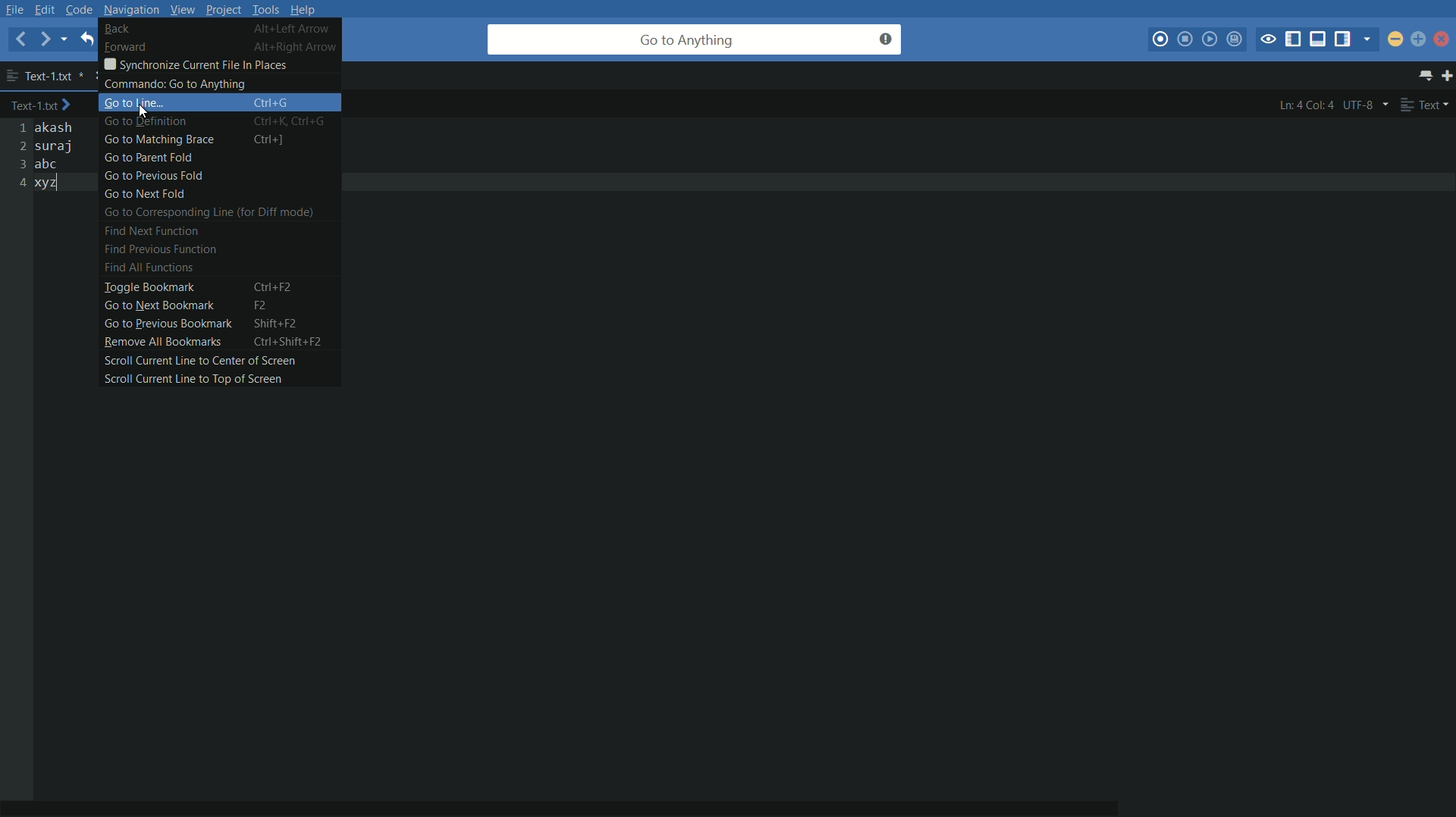 The width and height of the screenshot is (1456, 817). I want to click on show/hide left panel, so click(1293, 39).